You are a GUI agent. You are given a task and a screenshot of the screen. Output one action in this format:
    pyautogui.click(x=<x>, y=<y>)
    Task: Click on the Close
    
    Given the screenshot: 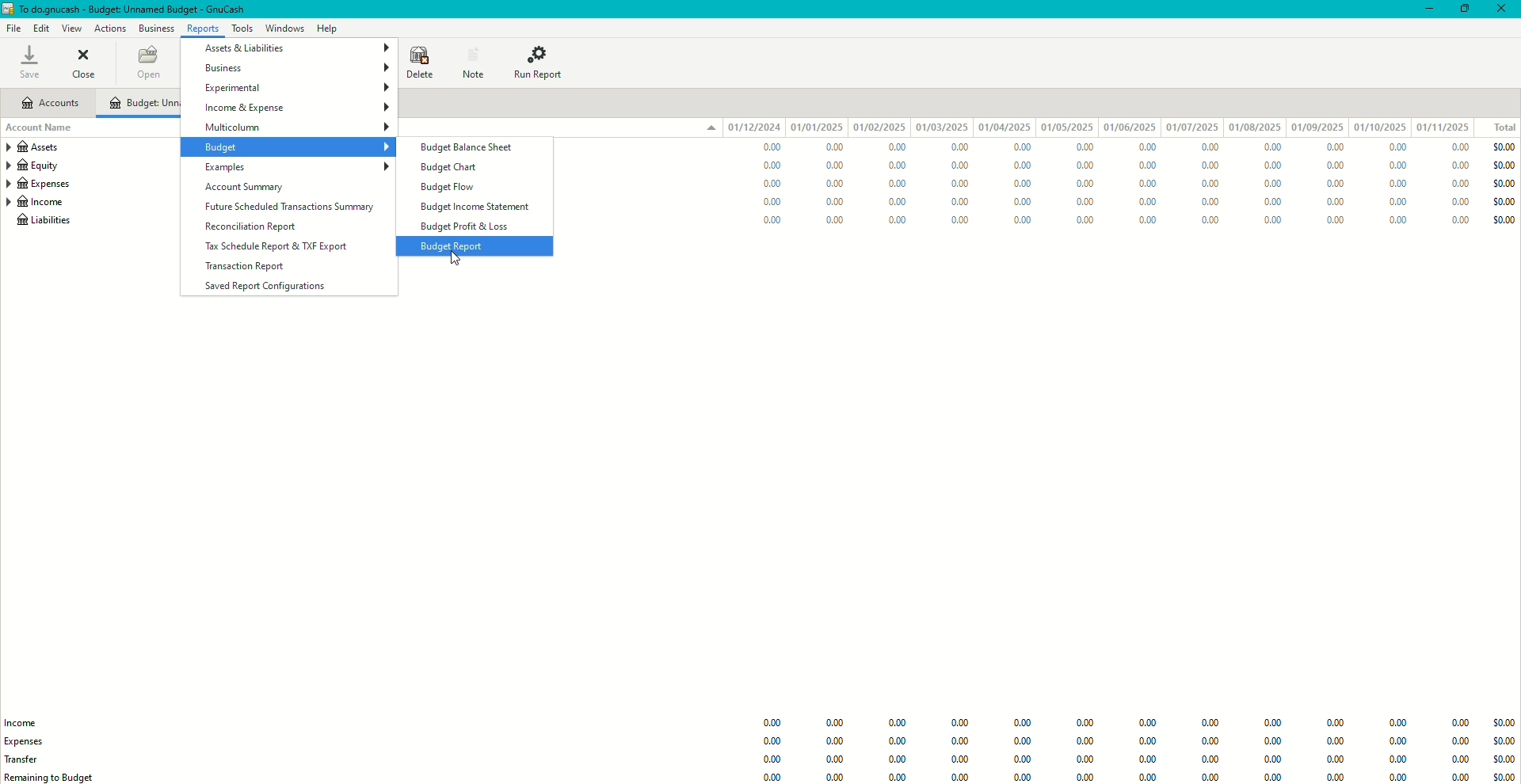 What is the action you would take?
    pyautogui.click(x=1504, y=10)
    